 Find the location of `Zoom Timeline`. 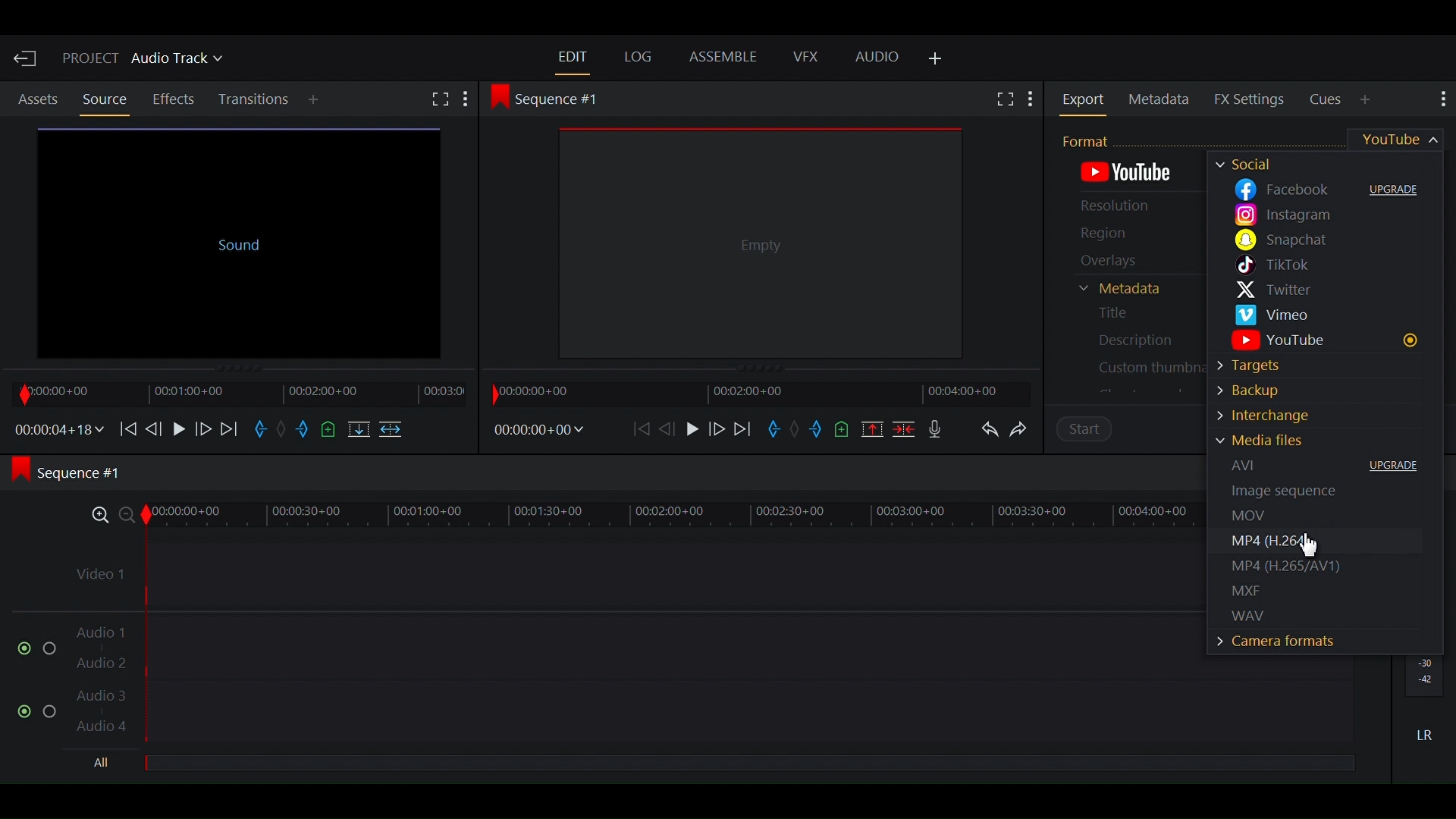

Zoom Timeline is located at coordinates (639, 513).